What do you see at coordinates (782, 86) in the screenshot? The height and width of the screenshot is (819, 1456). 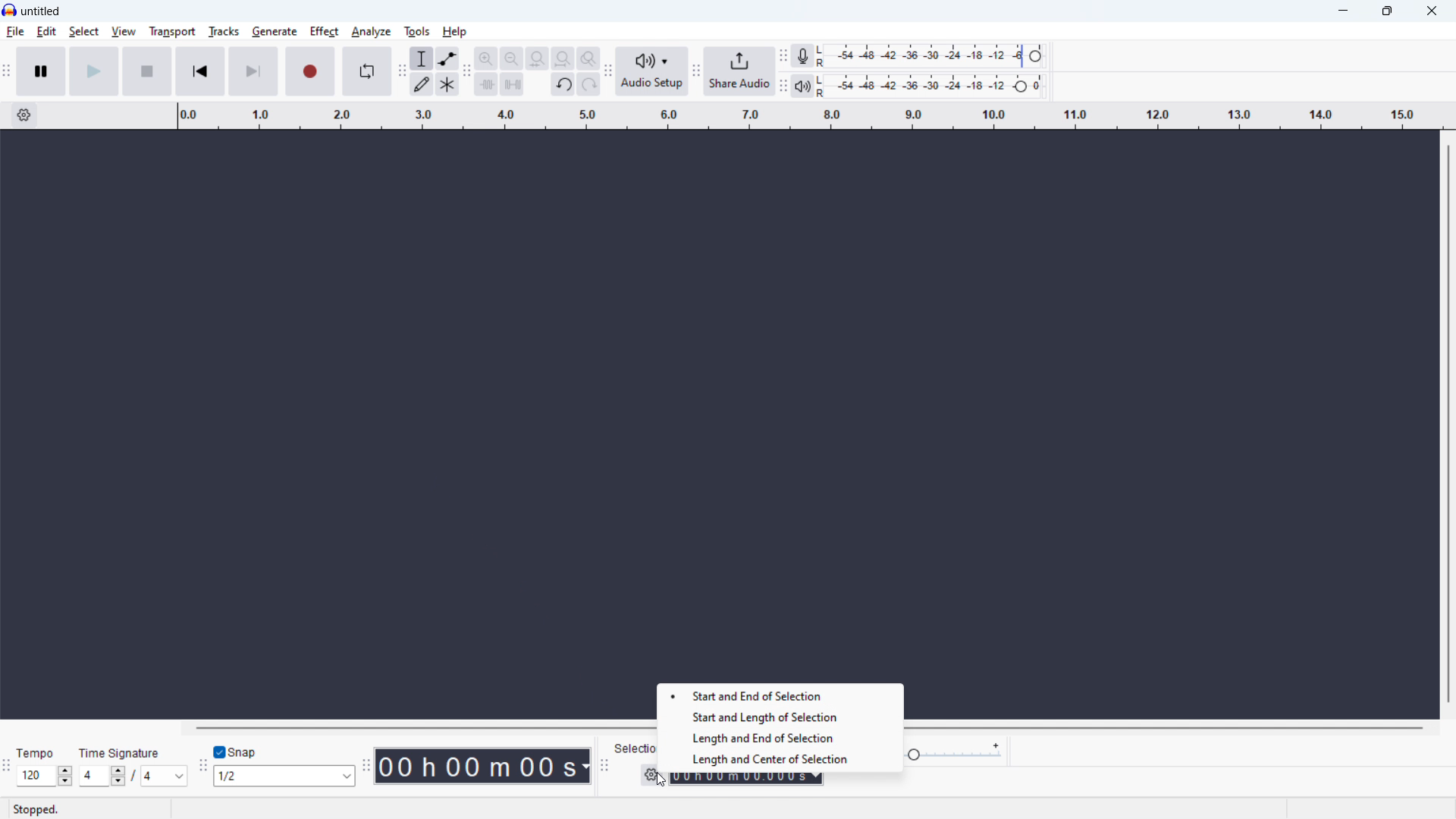 I see `playback meter toolbar` at bounding box center [782, 86].